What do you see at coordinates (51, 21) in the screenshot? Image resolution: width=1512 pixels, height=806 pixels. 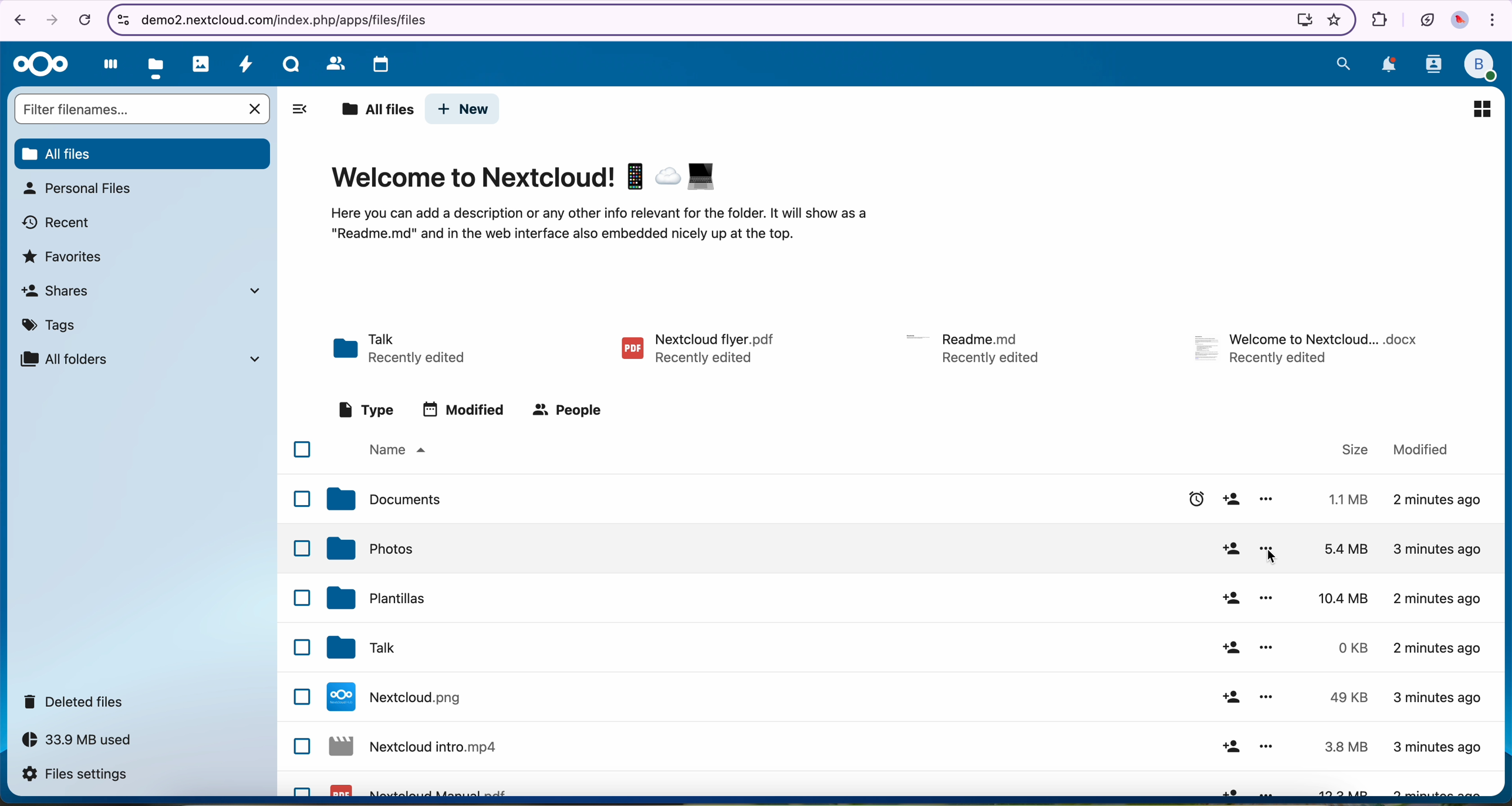 I see `navigate foward` at bounding box center [51, 21].